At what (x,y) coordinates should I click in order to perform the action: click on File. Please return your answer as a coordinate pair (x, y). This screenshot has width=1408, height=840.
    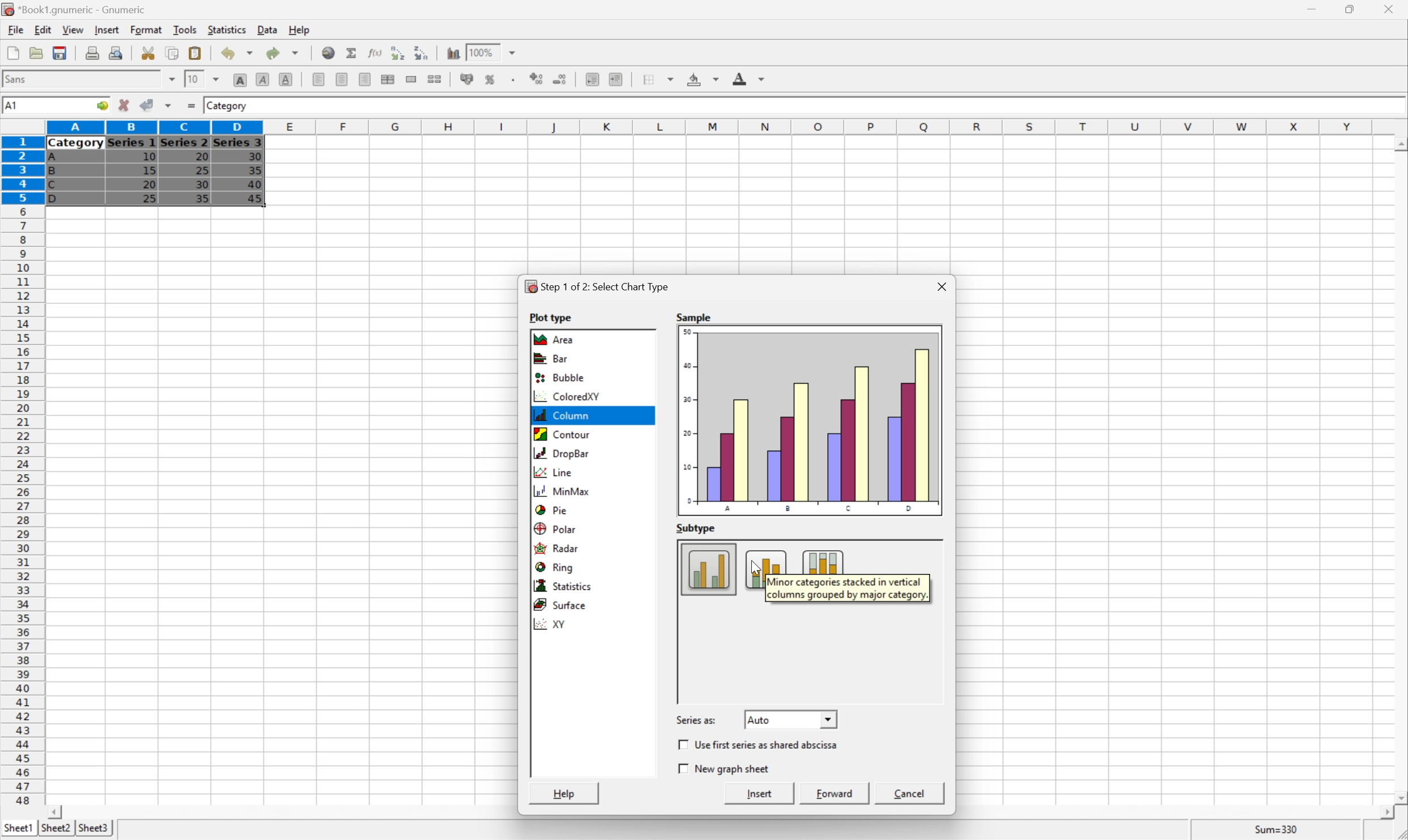
    Looking at the image, I should click on (16, 29).